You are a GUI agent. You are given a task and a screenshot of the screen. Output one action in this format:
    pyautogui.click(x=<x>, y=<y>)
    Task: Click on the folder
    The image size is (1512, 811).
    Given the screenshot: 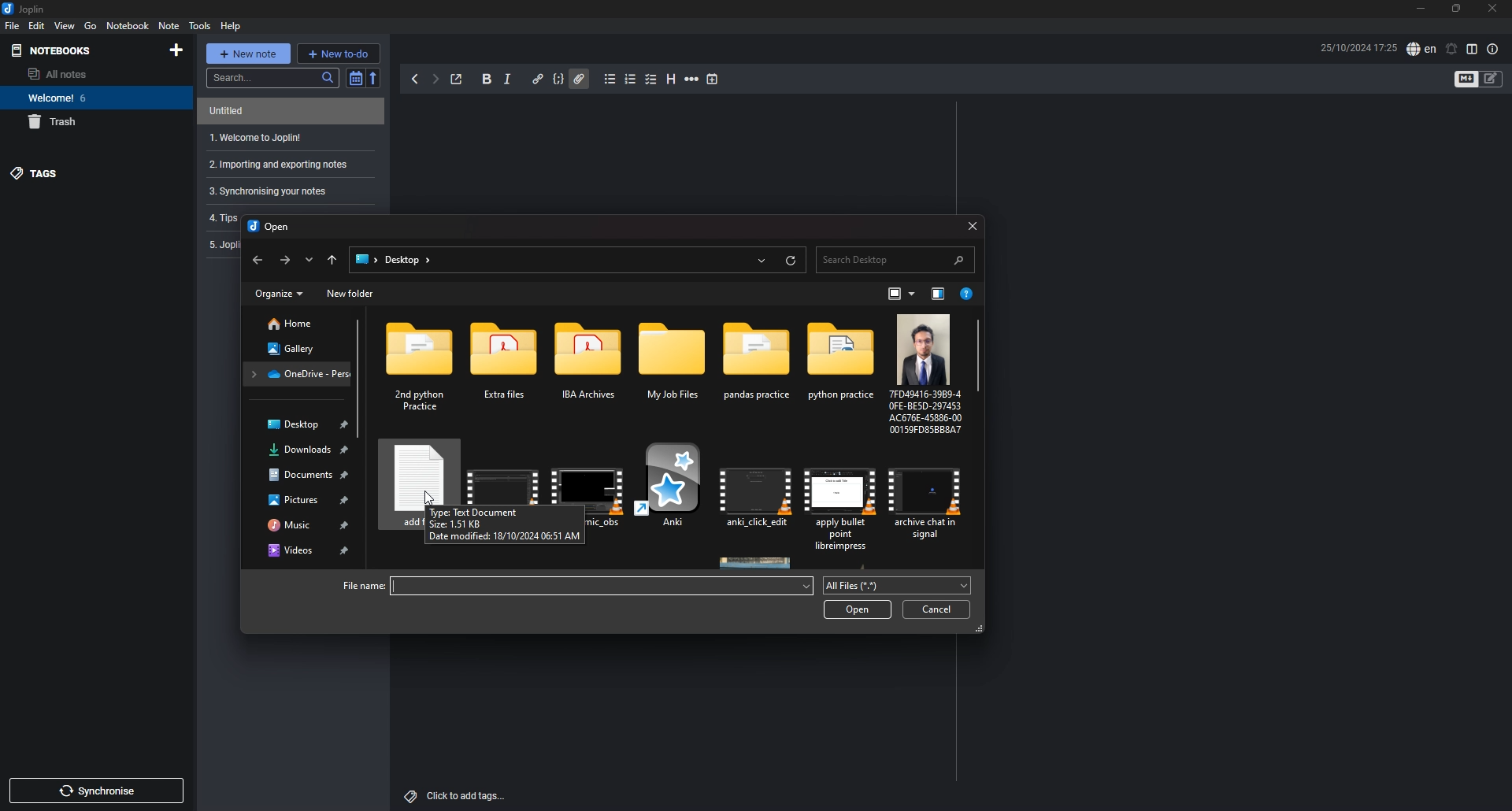 What is the action you would take?
    pyautogui.click(x=365, y=259)
    